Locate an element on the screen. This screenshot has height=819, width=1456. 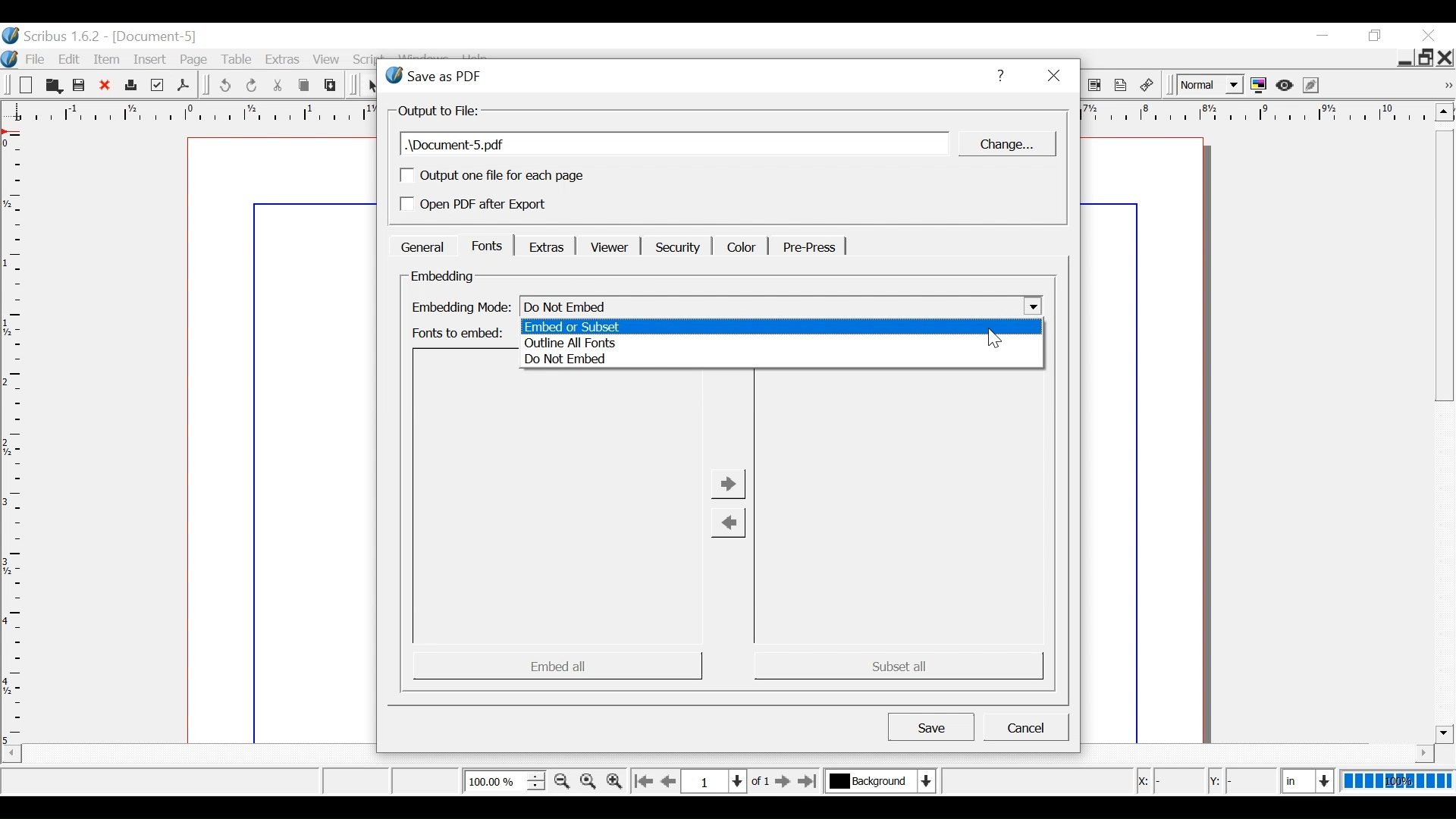
link Annotations is located at coordinates (1147, 86).